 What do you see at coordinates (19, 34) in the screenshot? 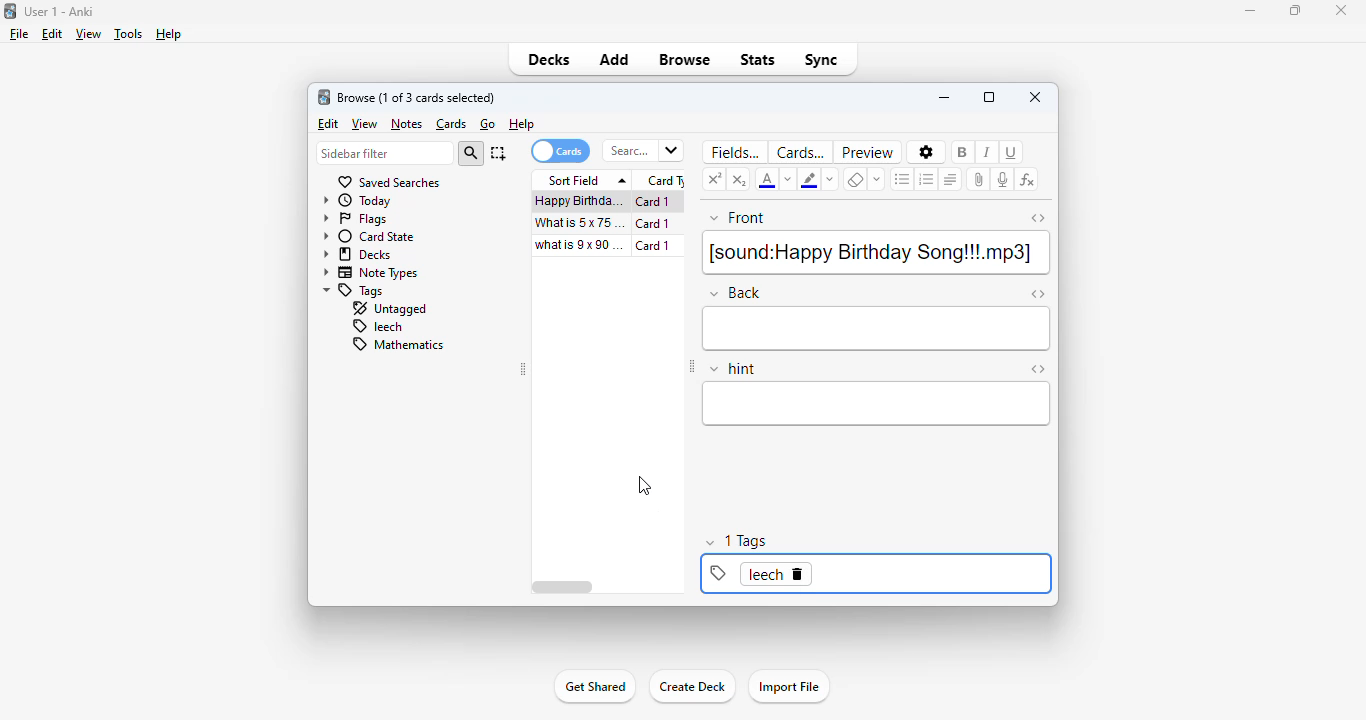
I see `file` at bounding box center [19, 34].